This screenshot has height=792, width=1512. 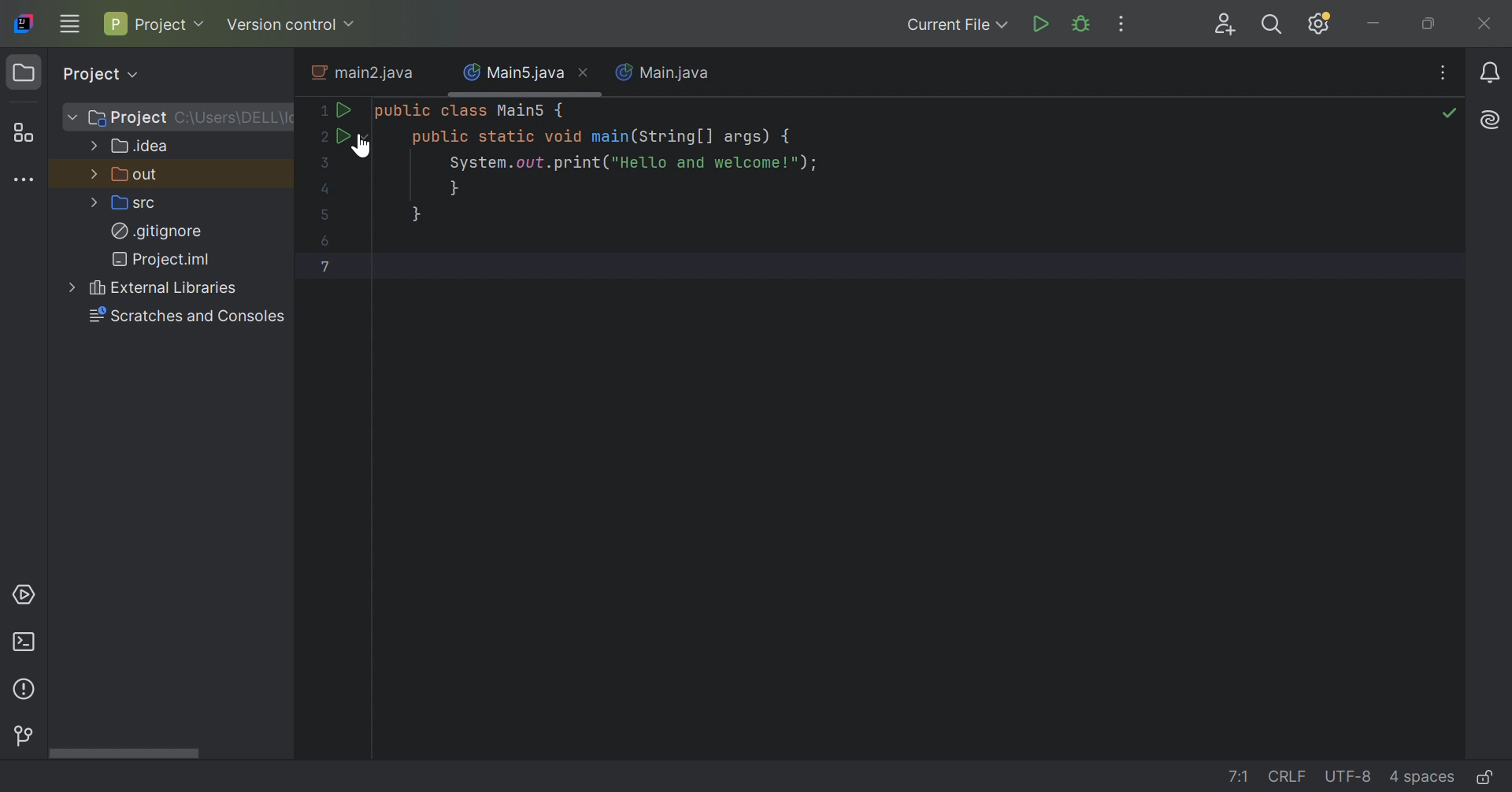 What do you see at coordinates (1451, 113) in the screenshot?
I see `No problems found` at bounding box center [1451, 113].